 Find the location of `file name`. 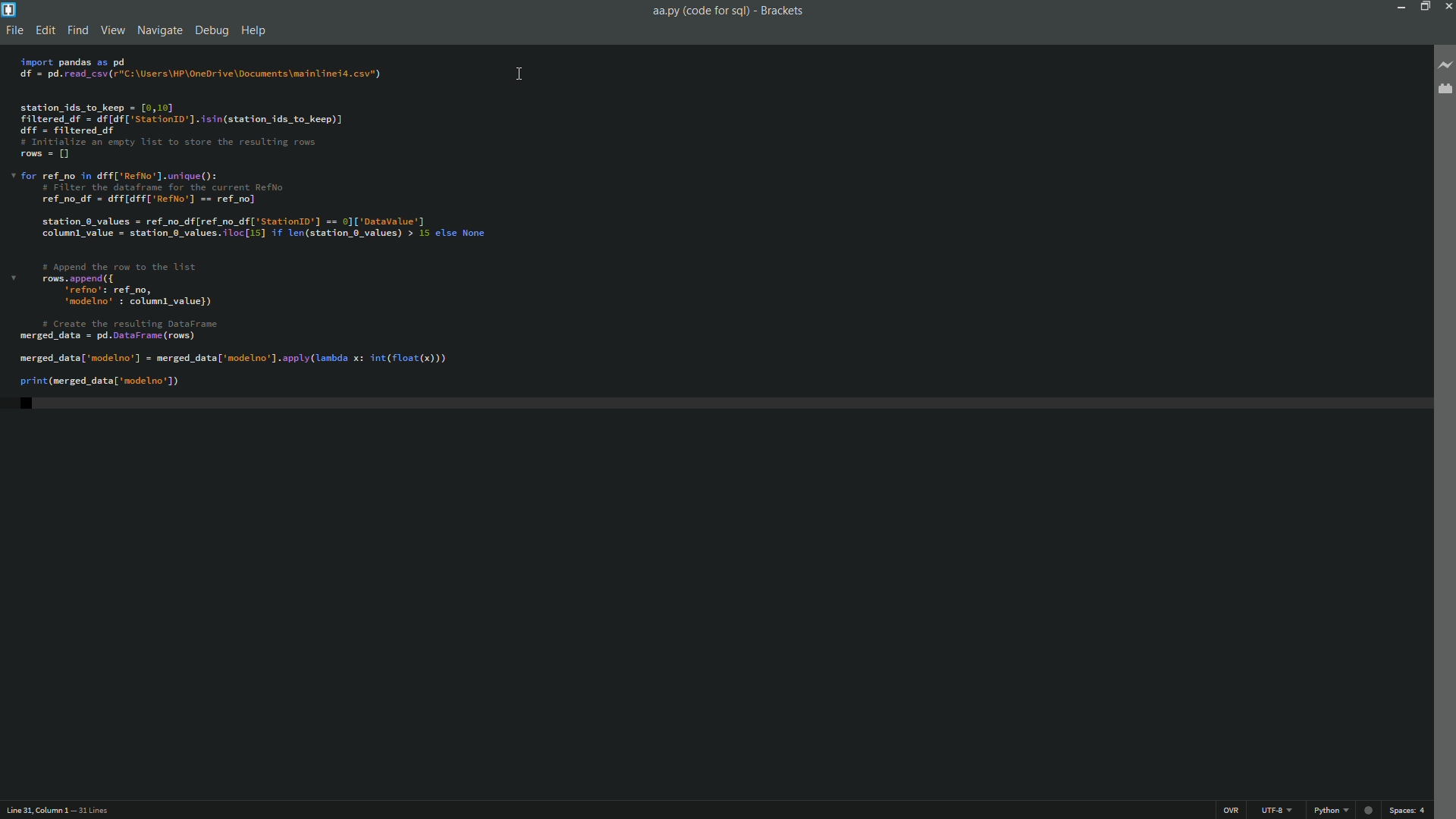

file name is located at coordinates (701, 11).